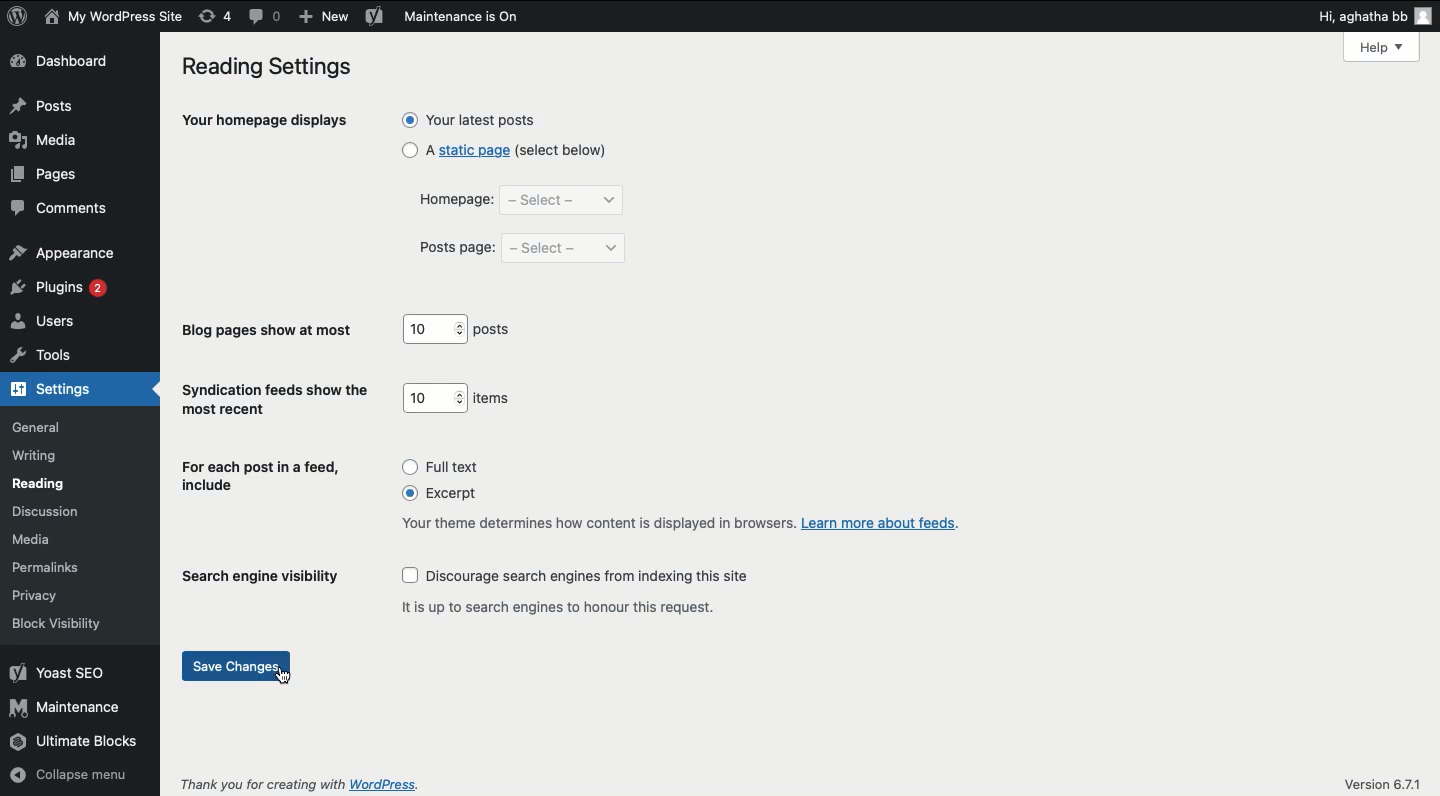 Image resolution: width=1440 pixels, height=796 pixels. What do you see at coordinates (34, 595) in the screenshot?
I see `privacy ` at bounding box center [34, 595].